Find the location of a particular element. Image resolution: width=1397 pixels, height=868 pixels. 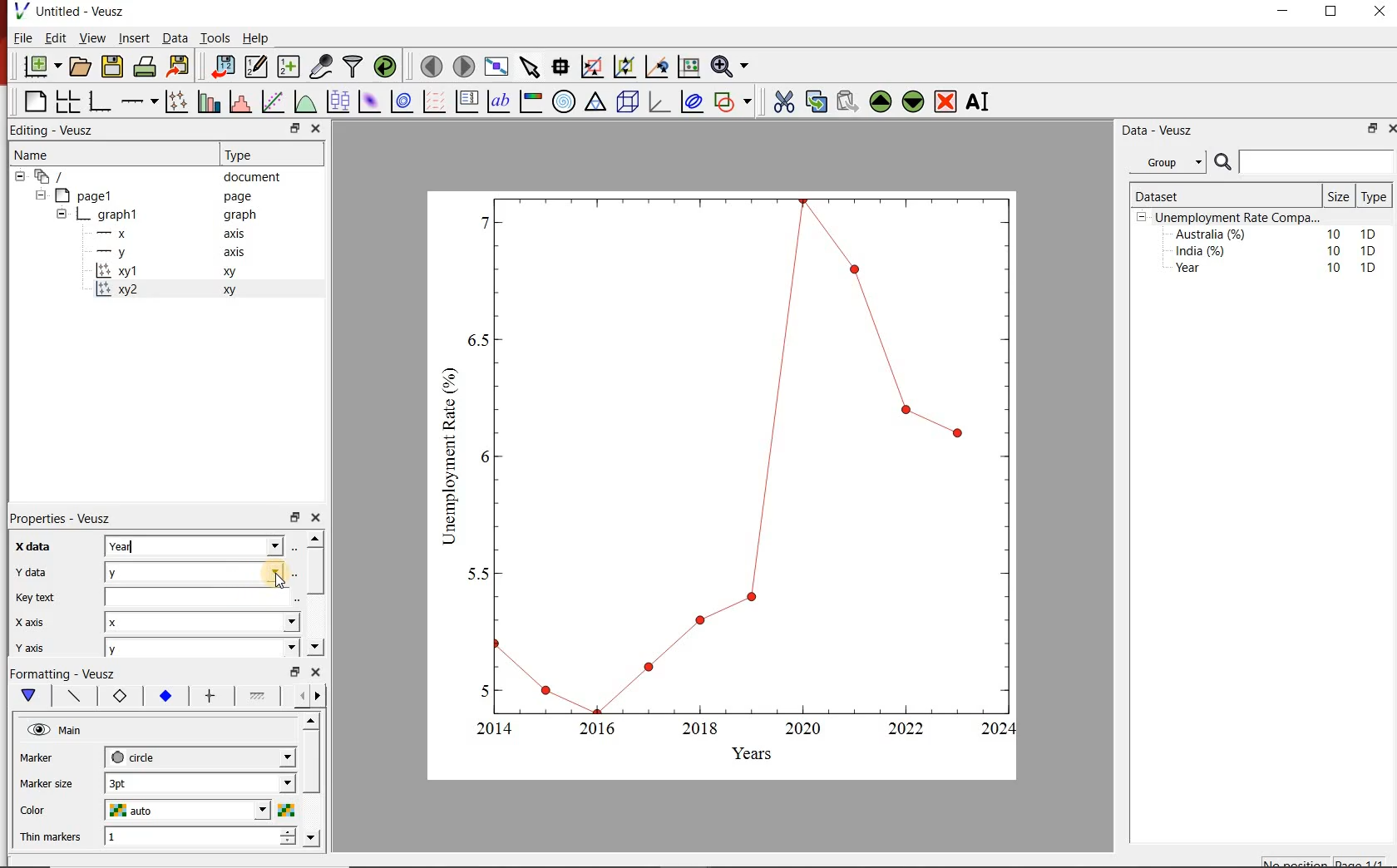

Dataset is located at coordinates (1196, 196).